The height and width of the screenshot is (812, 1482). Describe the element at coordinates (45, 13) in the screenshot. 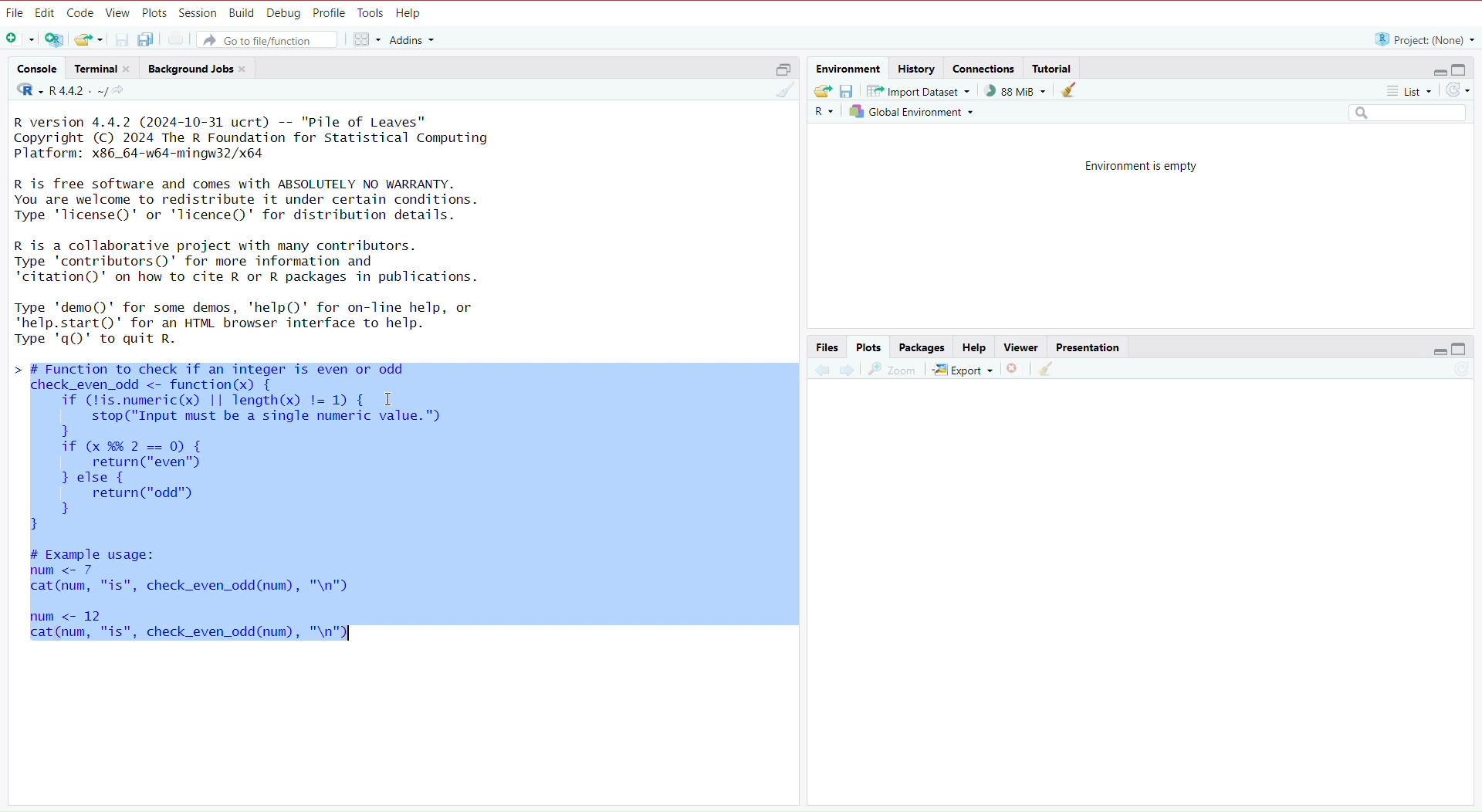

I see `edit` at that location.